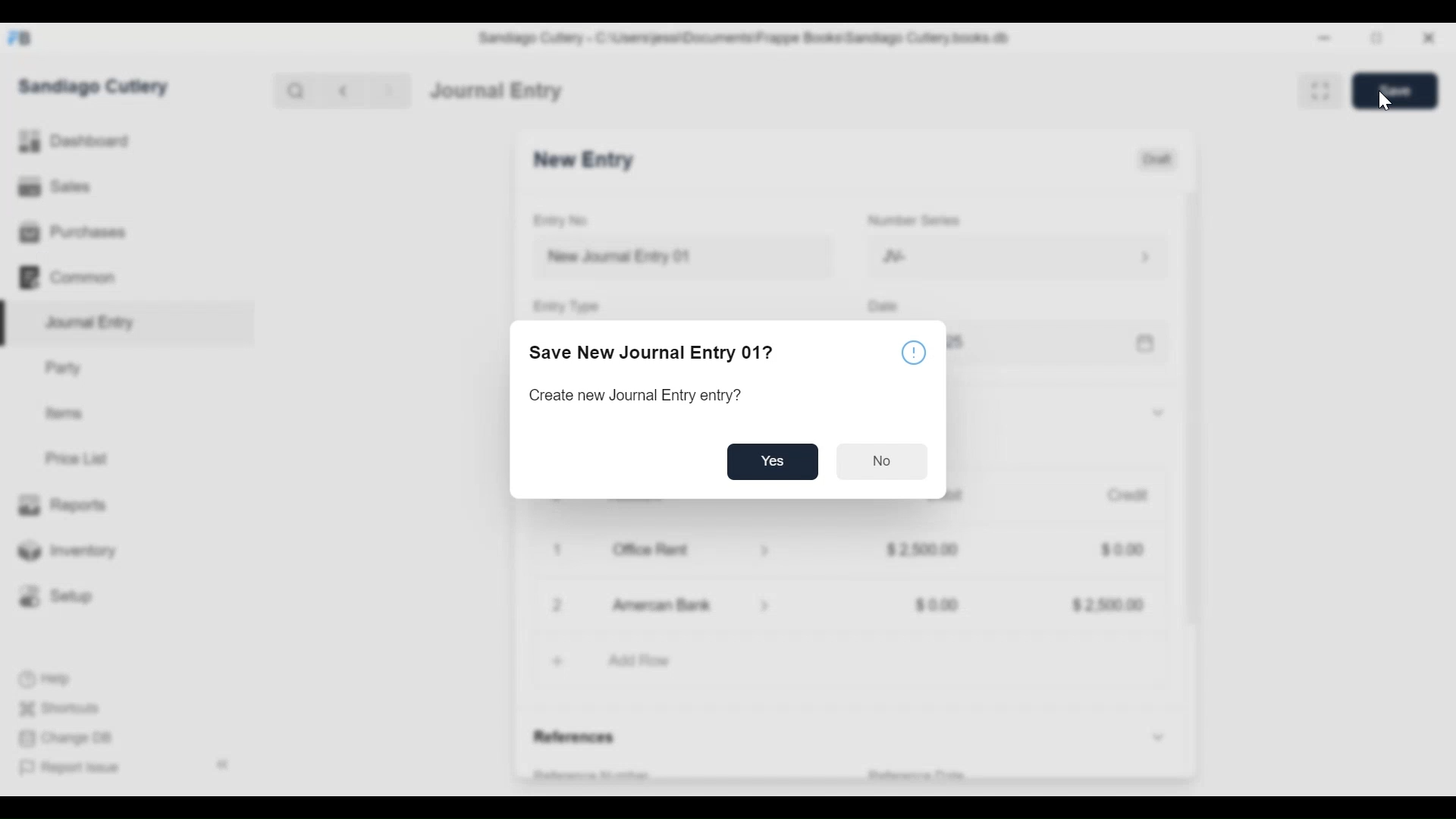 The height and width of the screenshot is (819, 1456). What do you see at coordinates (914, 352) in the screenshot?
I see `info icon` at bounding box center [914, 352].